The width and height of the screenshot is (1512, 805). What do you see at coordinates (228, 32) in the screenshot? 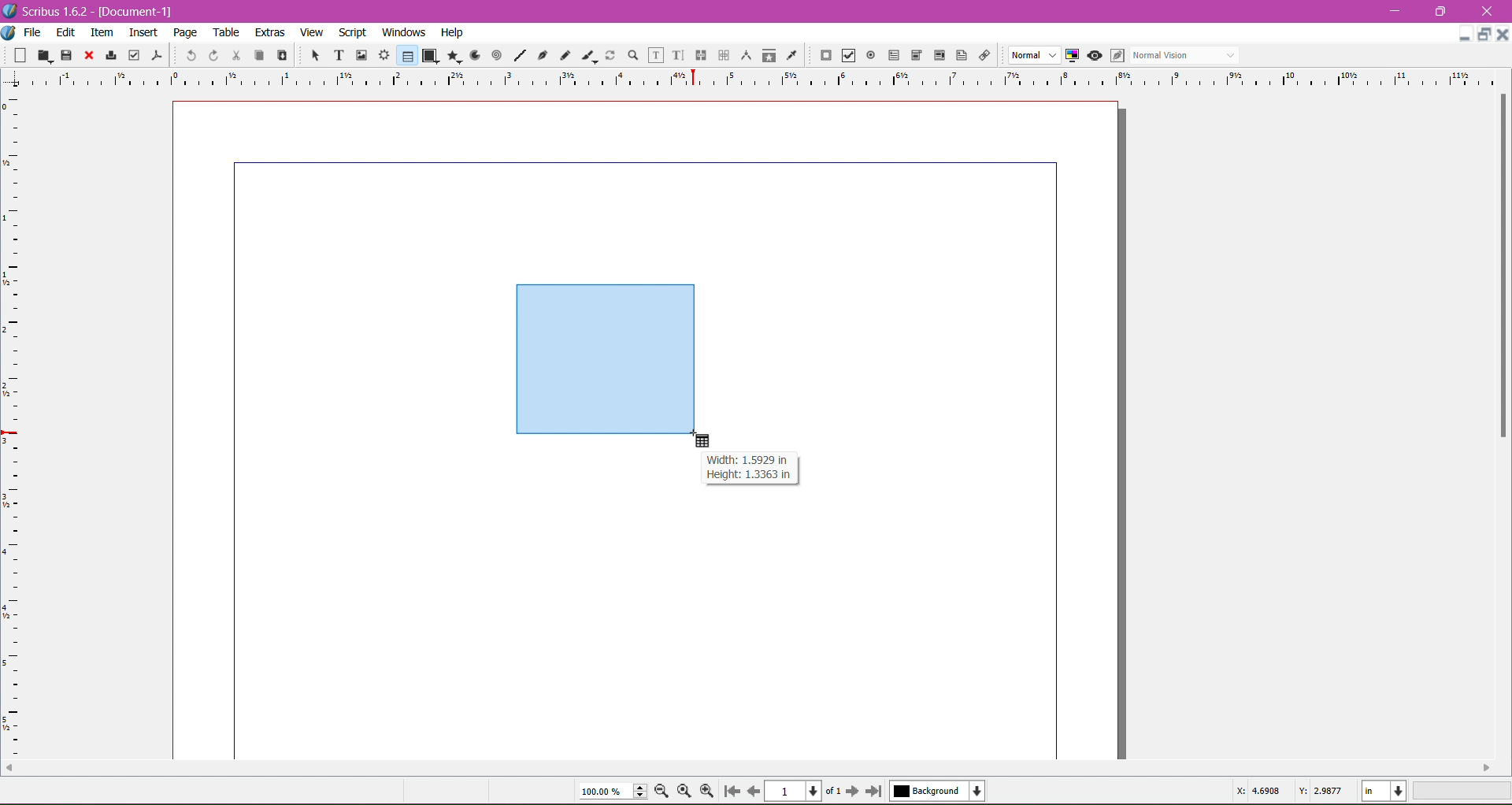
I see `Table` at bounding box center [228, 32].